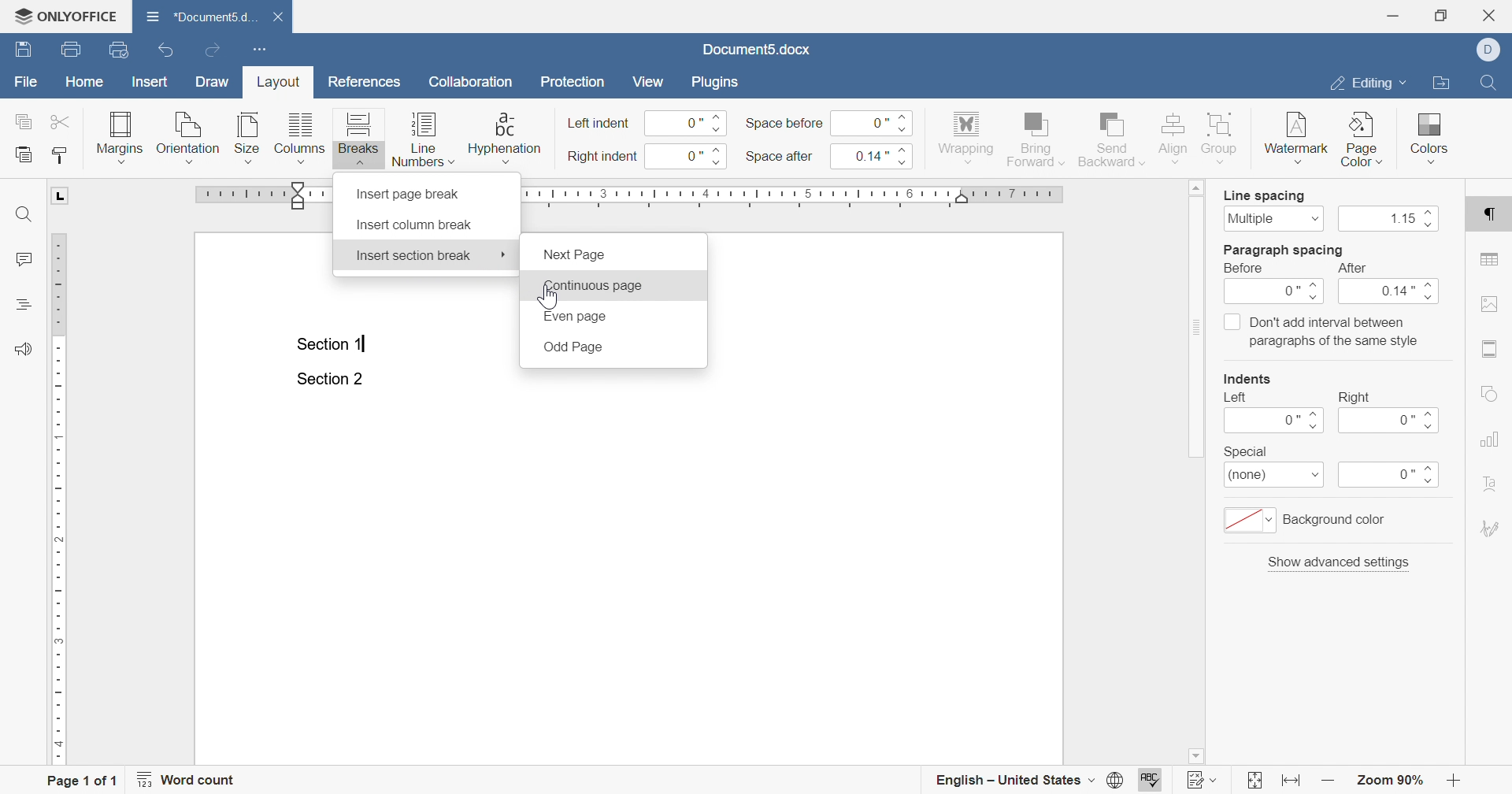 This screenshot has height=794, width=1512. What do you see at coordinates (1488, 439) in the screenshot?
I see `chart settings` at bounding box center [1488, 439].